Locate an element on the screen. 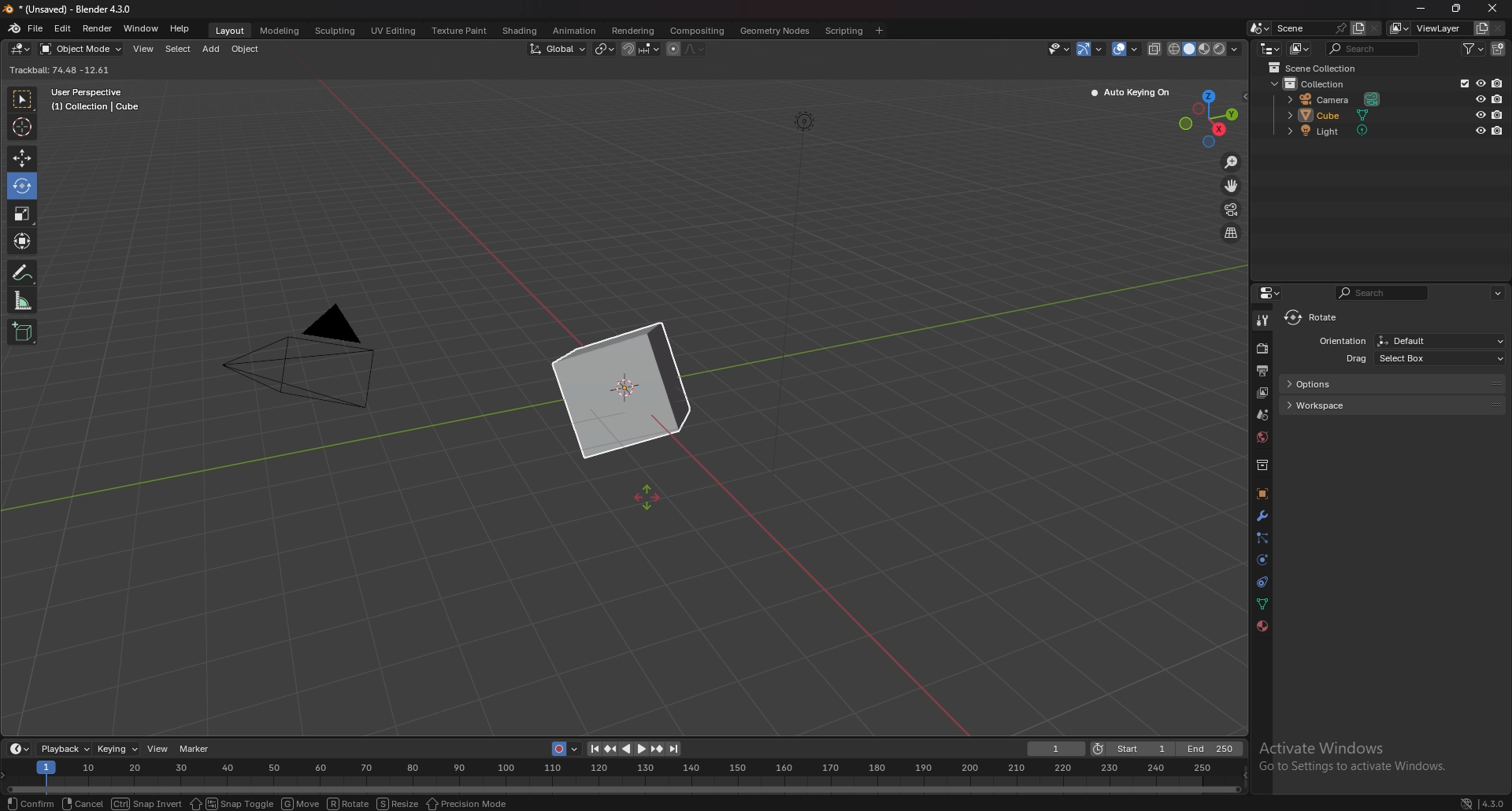  cursor is located at coordinates (650, 500).